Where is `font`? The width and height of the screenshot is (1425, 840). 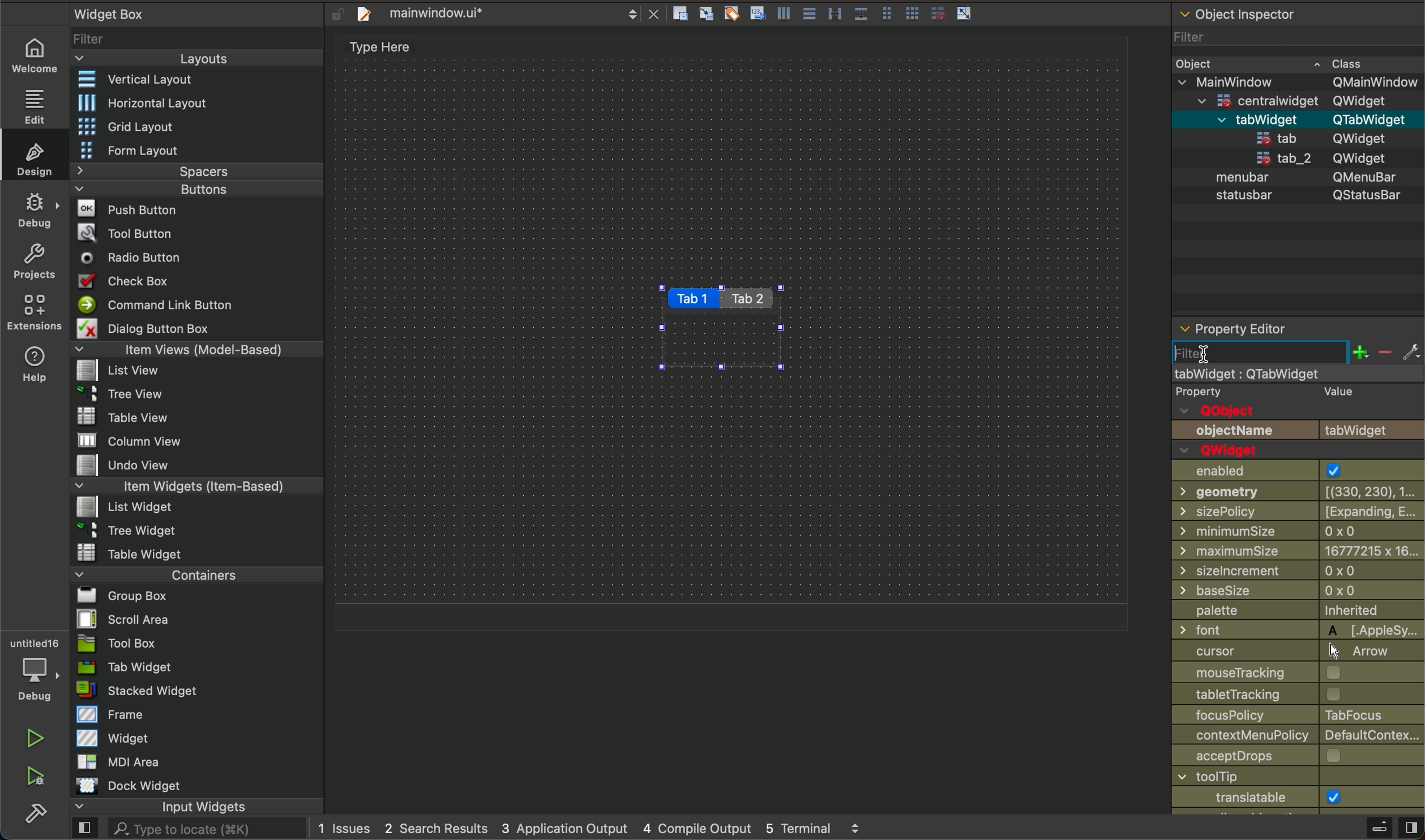 font is located at coordinates (1296, 630).